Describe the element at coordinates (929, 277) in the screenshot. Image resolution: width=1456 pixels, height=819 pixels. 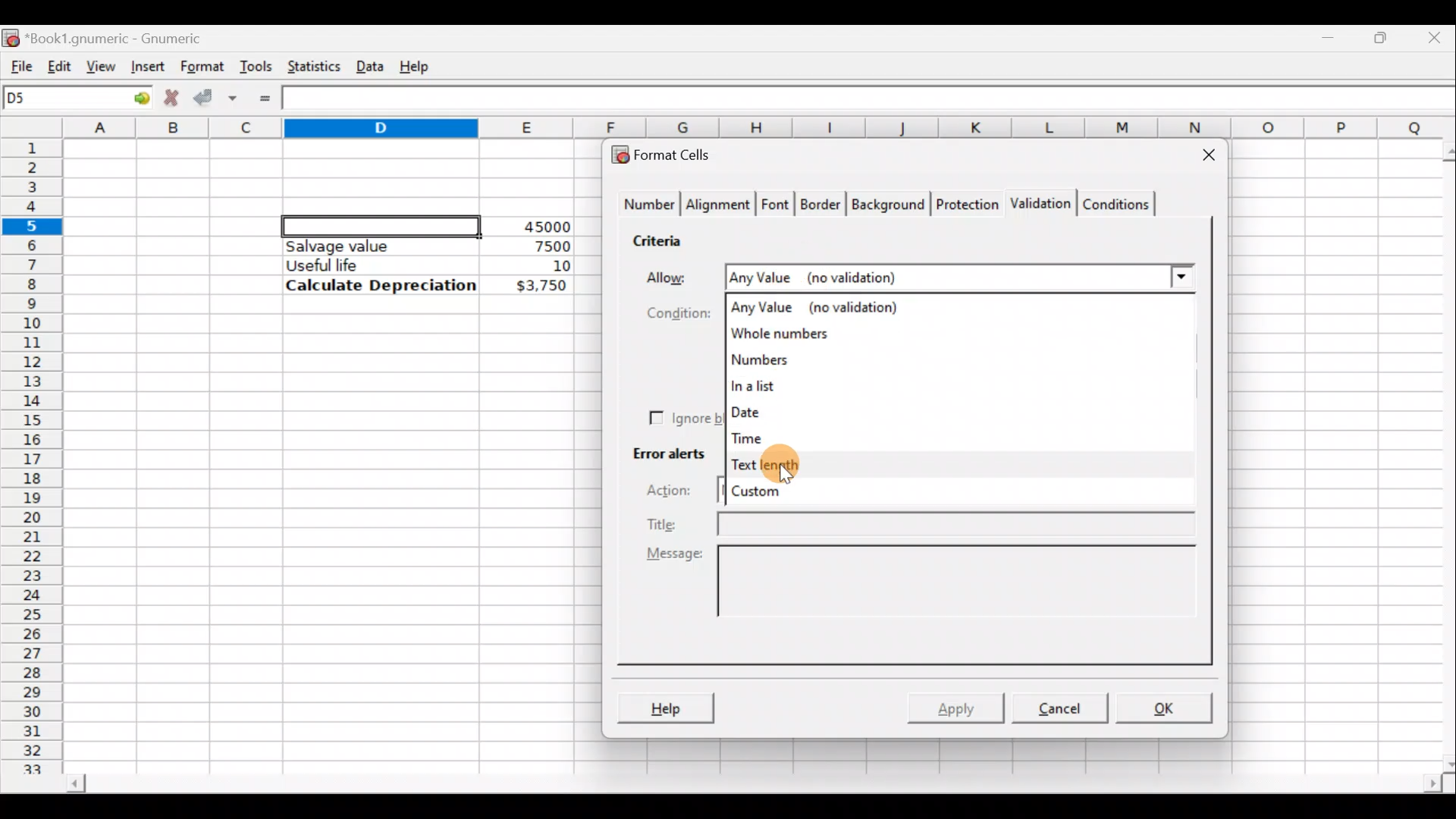
I see `Any value (no validation)` at that location.